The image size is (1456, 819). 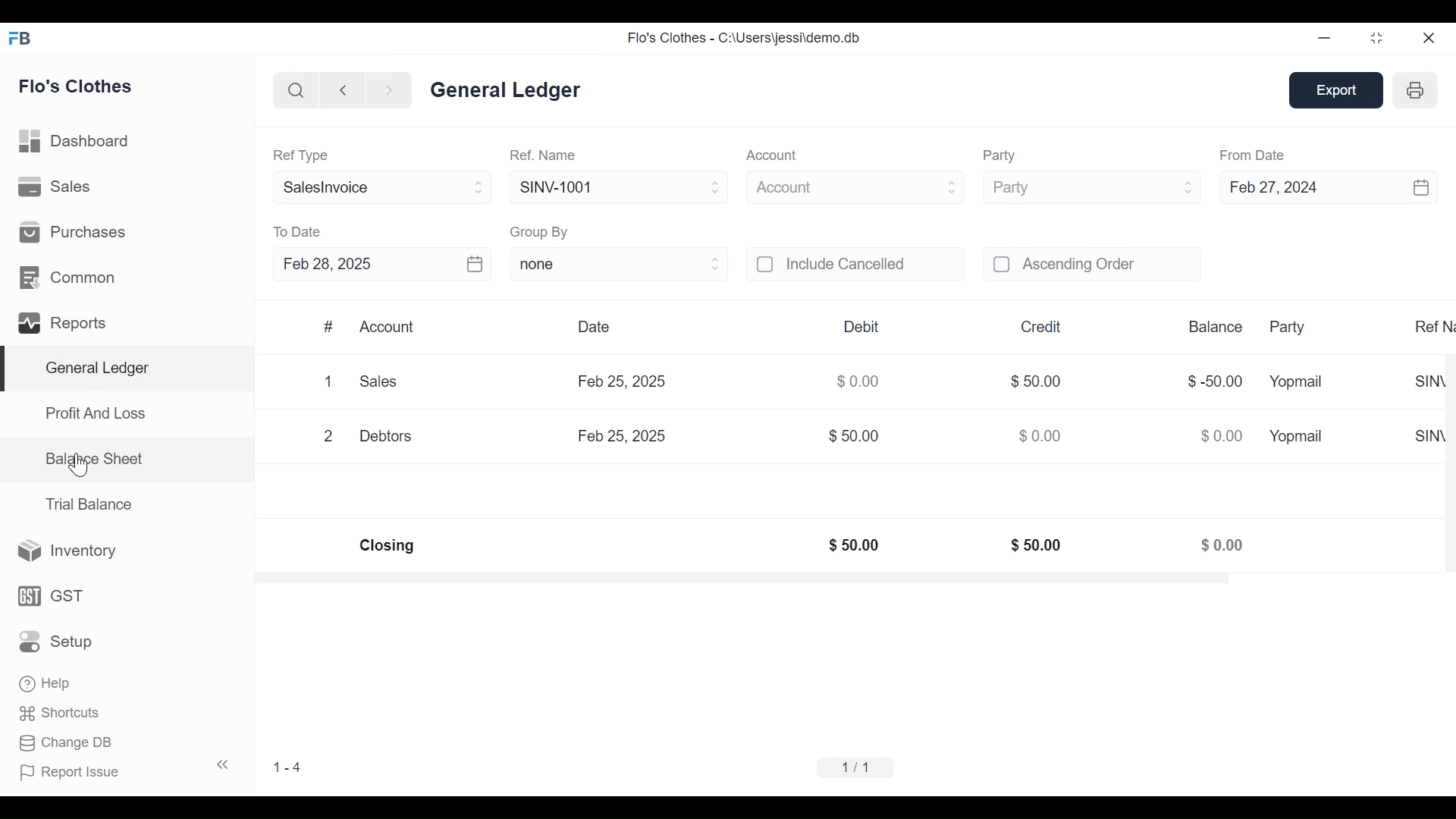 I want to click on inventory, so click(x=68, y=551).